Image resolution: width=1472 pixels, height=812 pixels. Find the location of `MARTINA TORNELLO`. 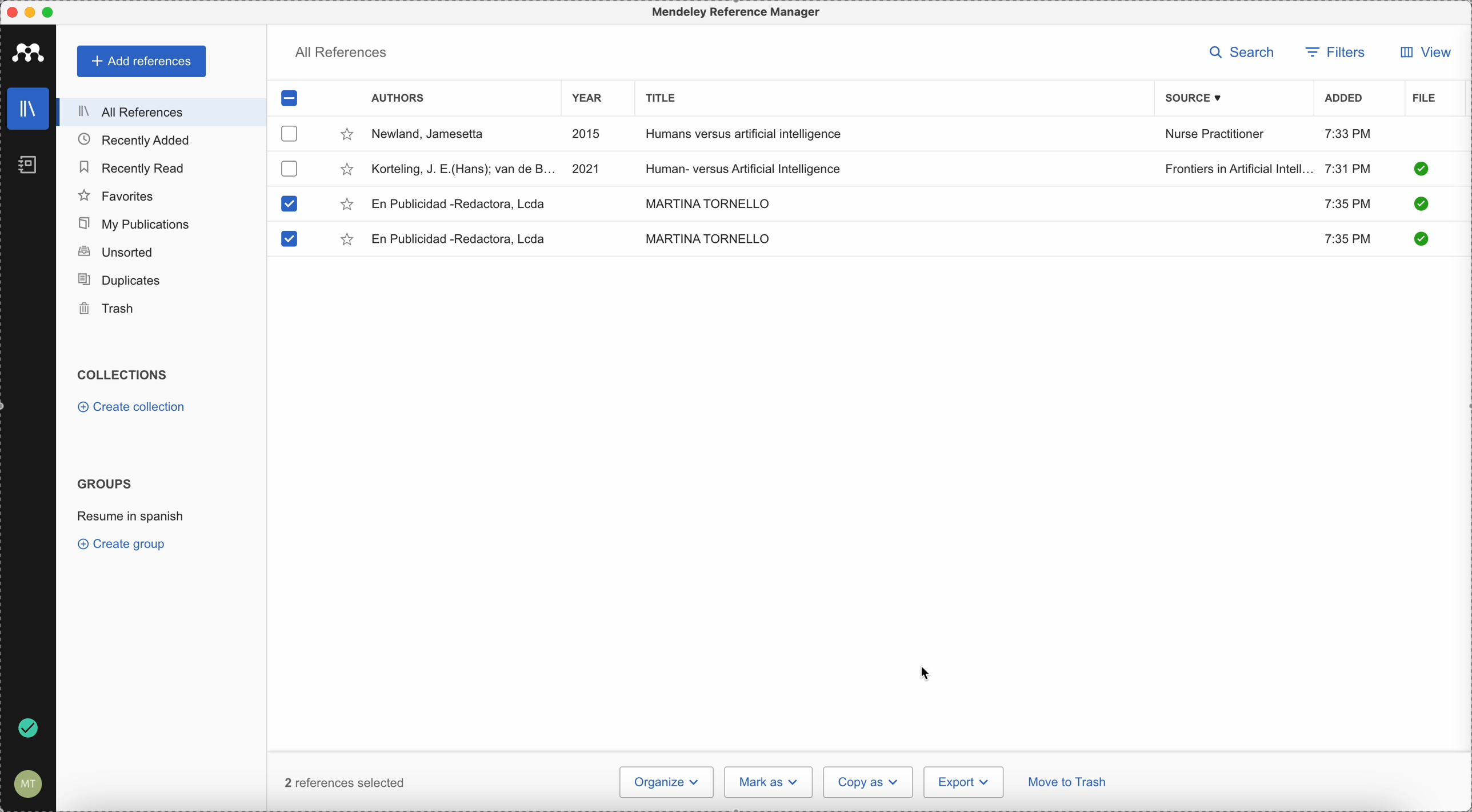

MARTINA TORNELLO is located at coordinates (705, 202).